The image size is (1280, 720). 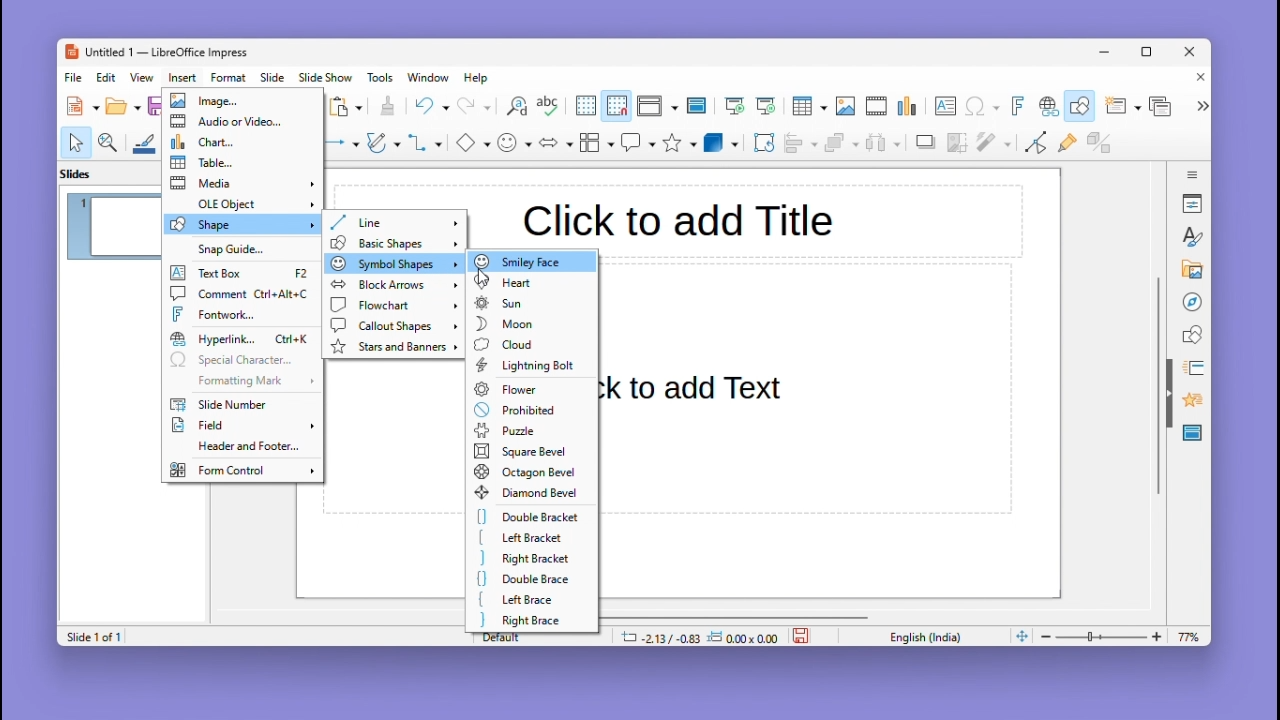 I want to click on Tools, so click(x=383, y=77).